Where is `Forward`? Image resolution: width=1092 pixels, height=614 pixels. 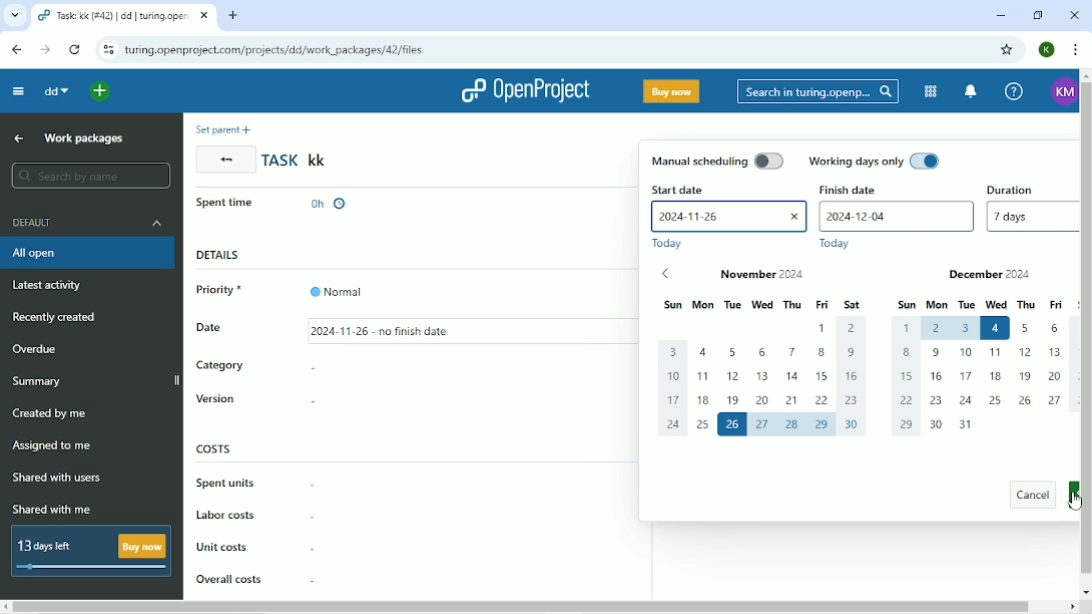 Forward is located at coordinates (46, 49).